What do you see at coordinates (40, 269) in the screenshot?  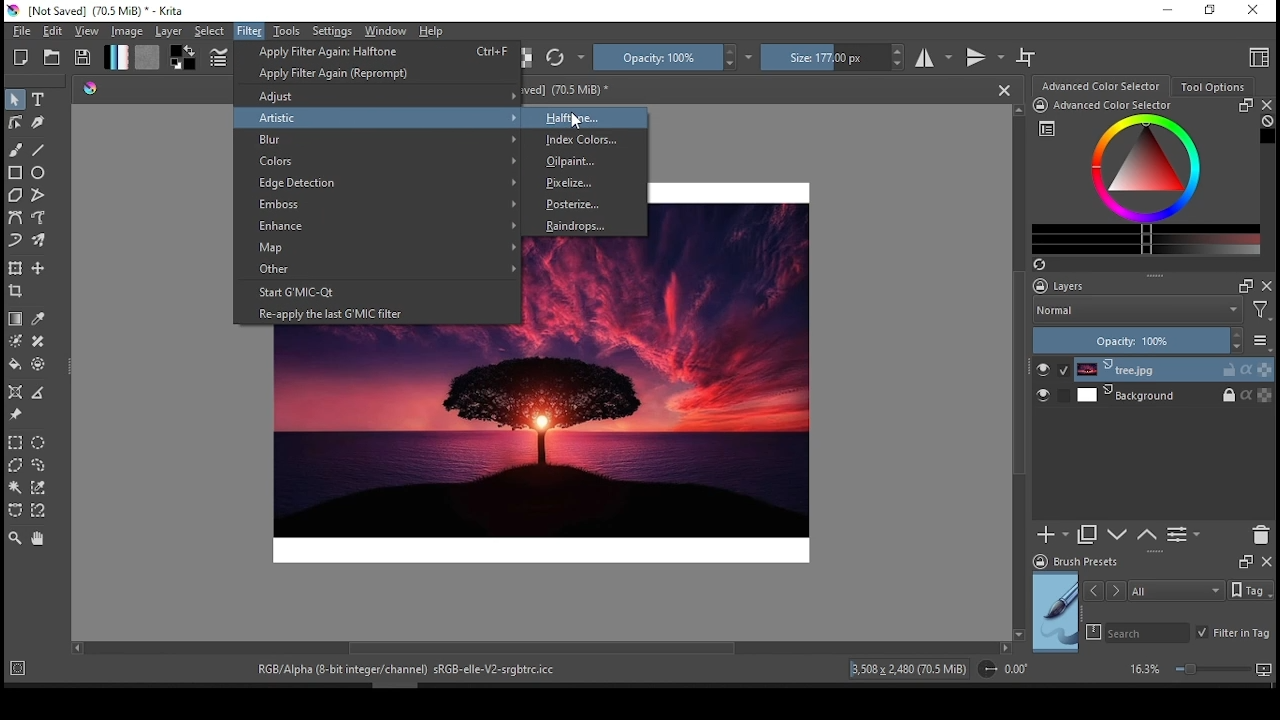 I see `move a layertool` at bounding box center [40, 269].